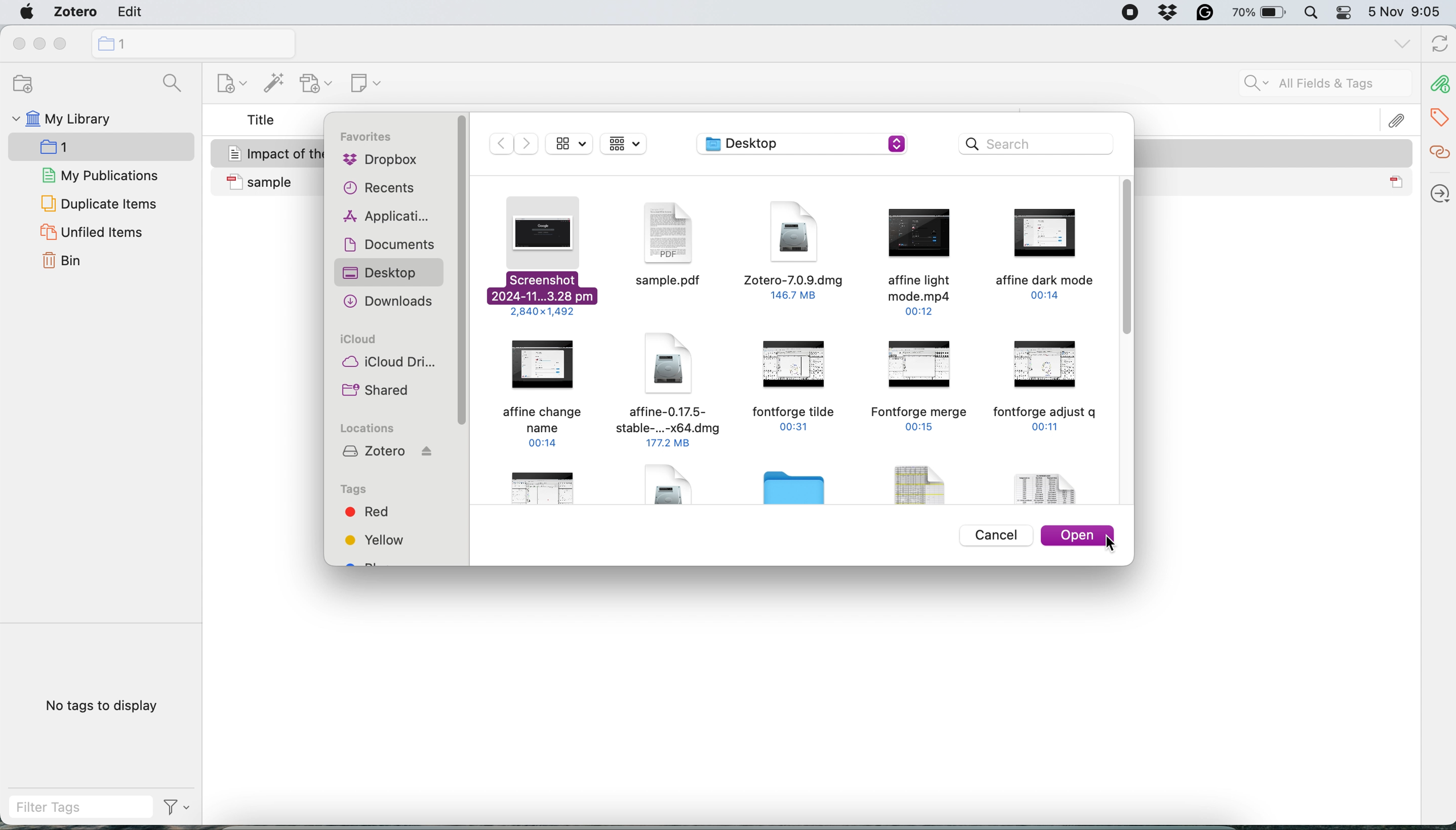  What do you see at coordinates (906, 488) in the screenshot?
I see `File` at bounding box center [906, 488].